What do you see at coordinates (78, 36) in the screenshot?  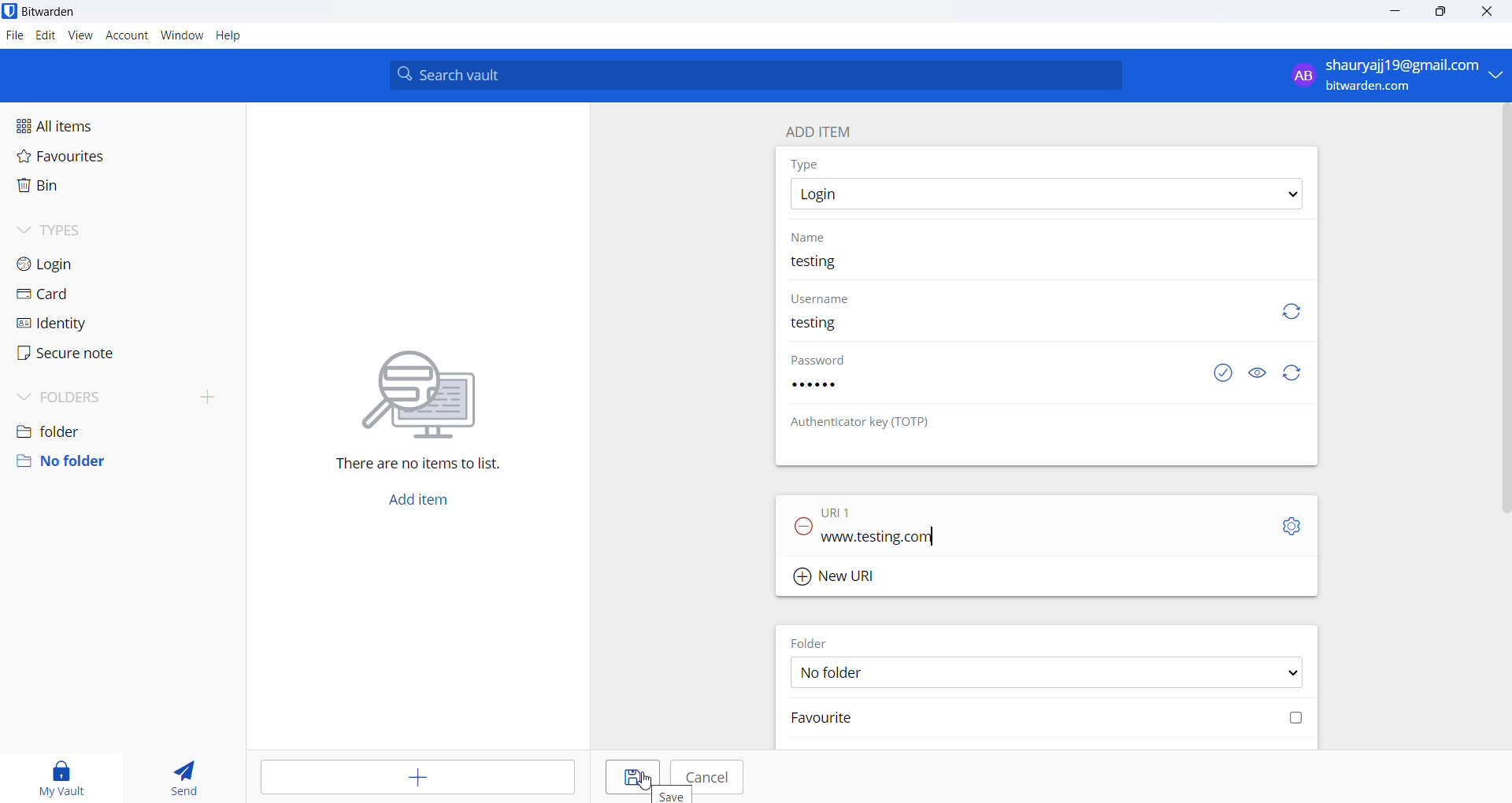 I see `view` at bounding box center [78, 36].